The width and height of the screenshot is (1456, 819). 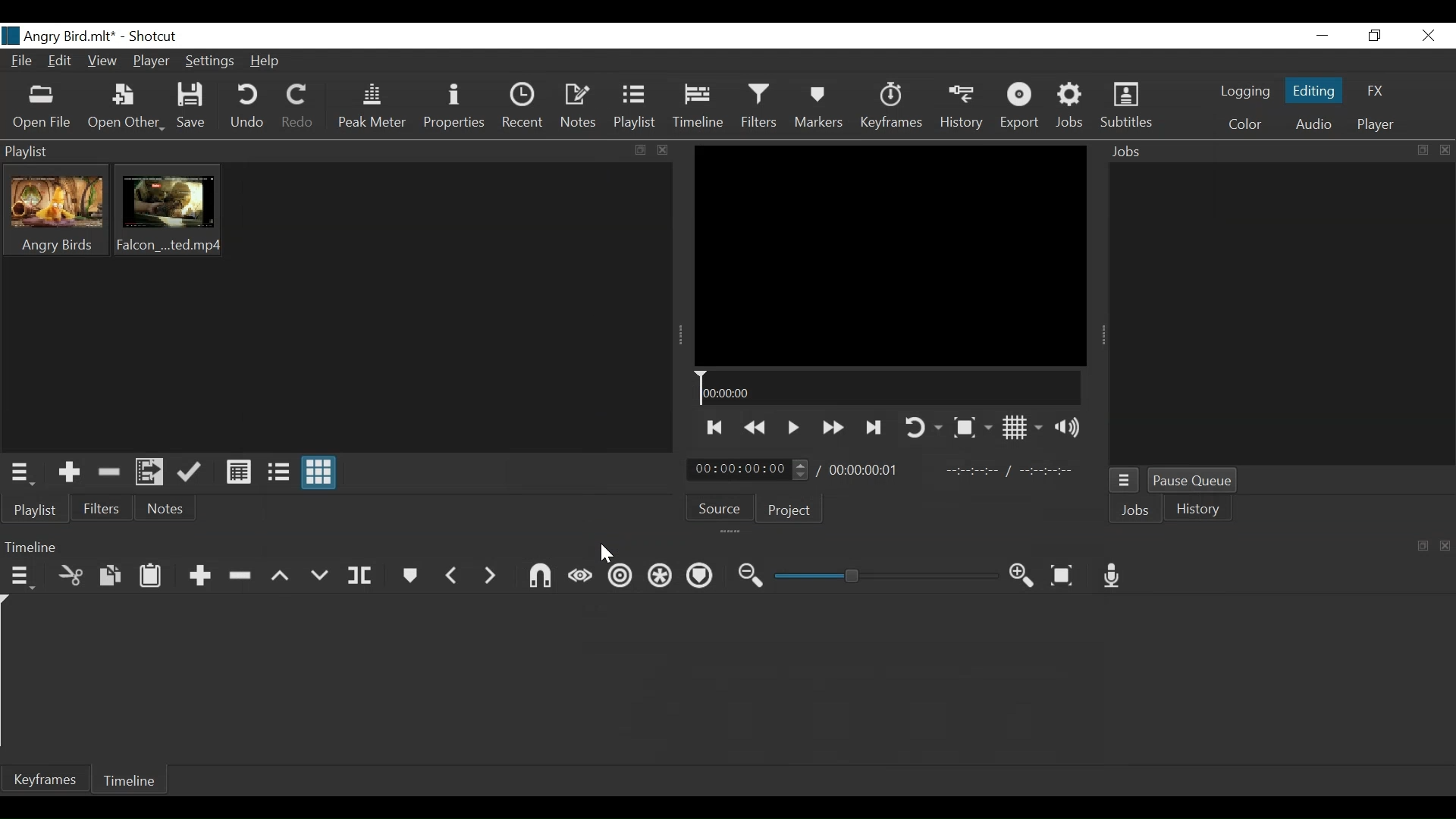 What do you see at coordinates (409, 577) in the screenshot?
I see `Markers` at bounding box center [409, 577].